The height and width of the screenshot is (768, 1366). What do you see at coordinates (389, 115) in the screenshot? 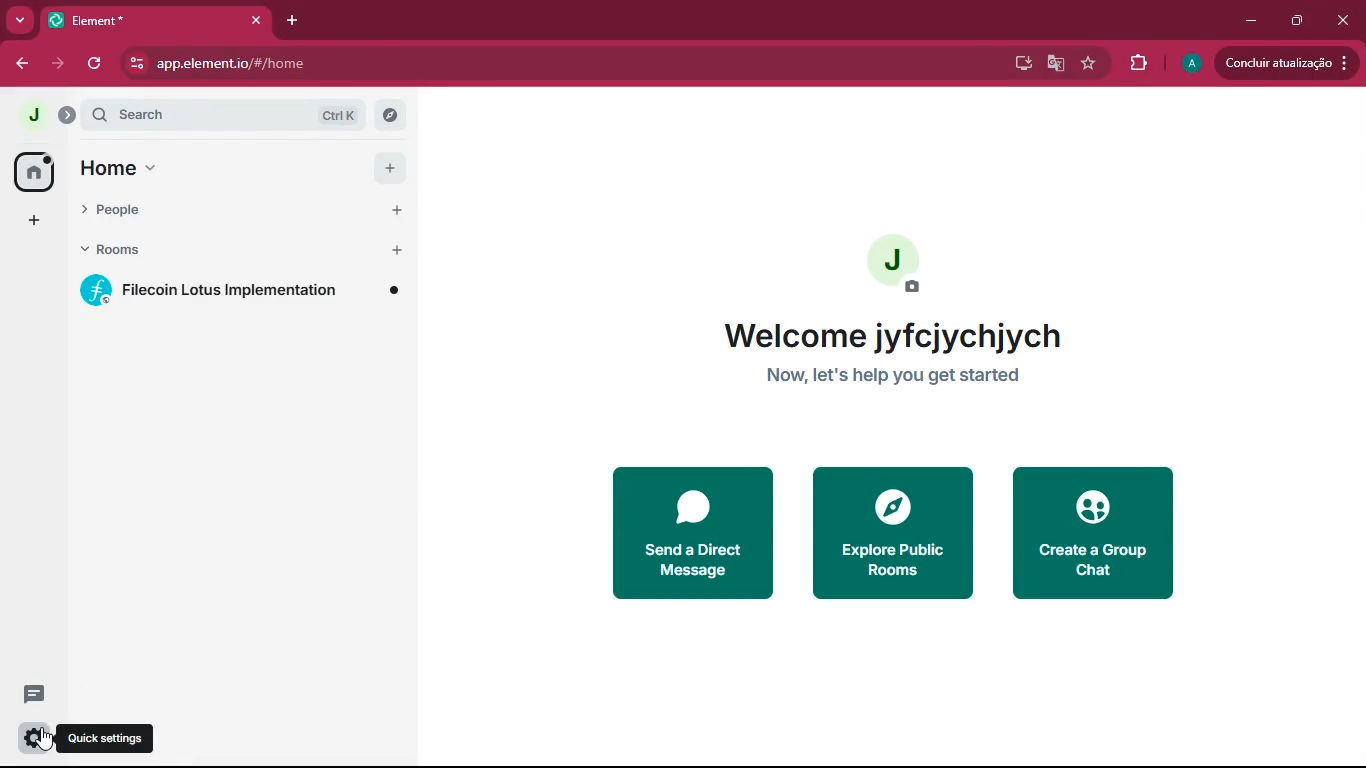
I see `explore` at bounding box center [389, 115].